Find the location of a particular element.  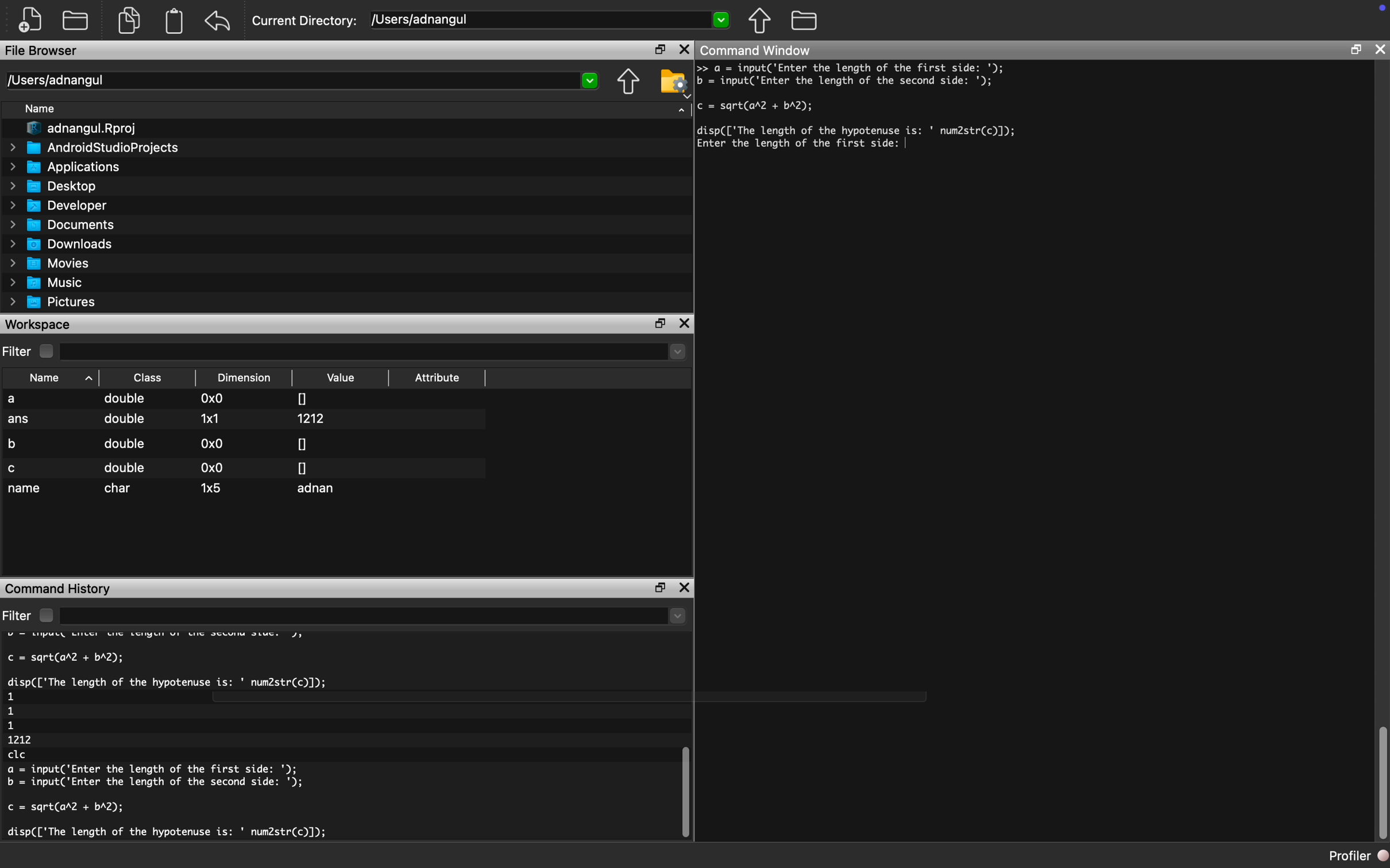

restore down is located at coordinates (662, 324).